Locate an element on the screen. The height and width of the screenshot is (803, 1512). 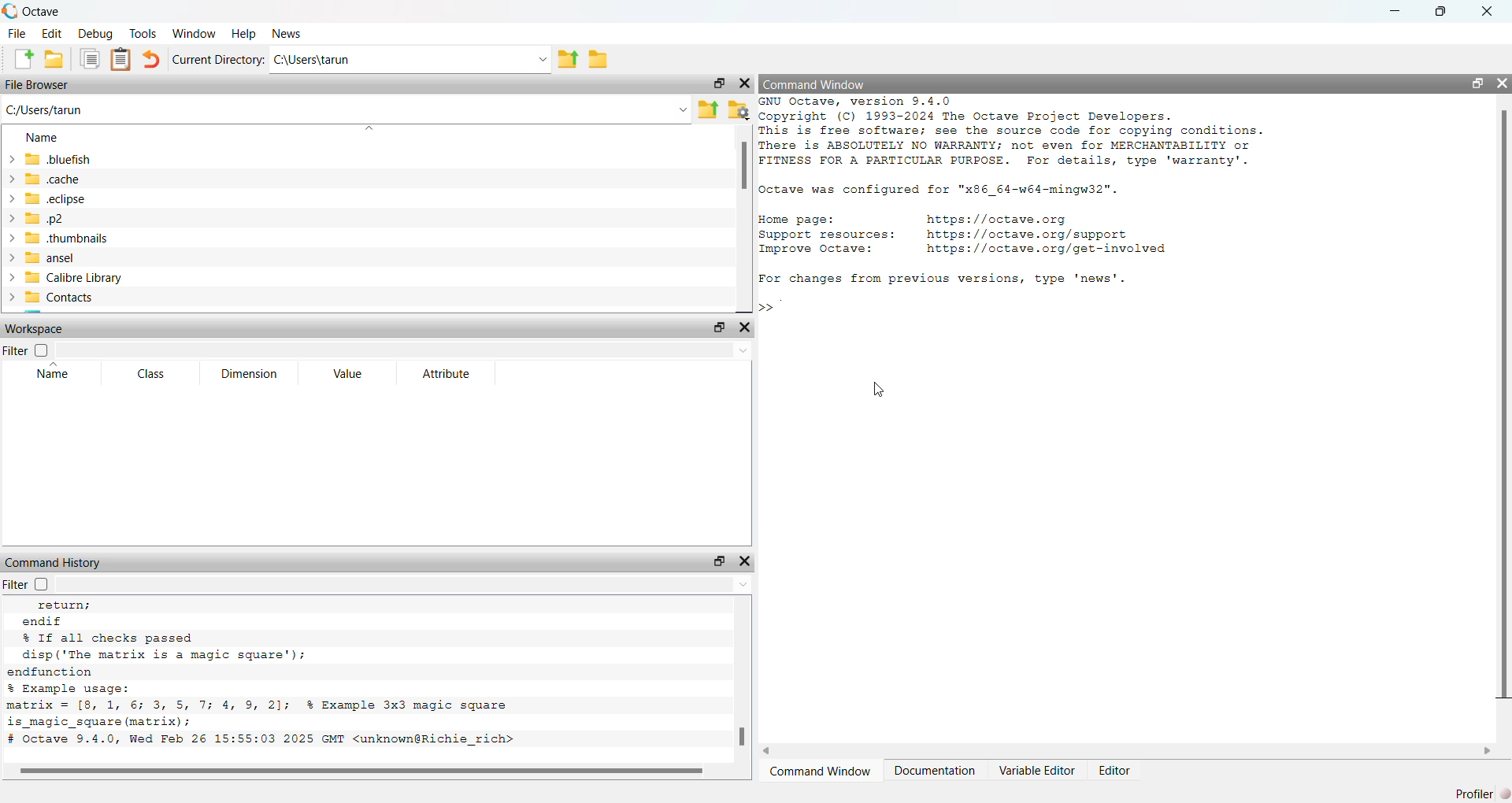
Filter is located at coordinates (30, 584).